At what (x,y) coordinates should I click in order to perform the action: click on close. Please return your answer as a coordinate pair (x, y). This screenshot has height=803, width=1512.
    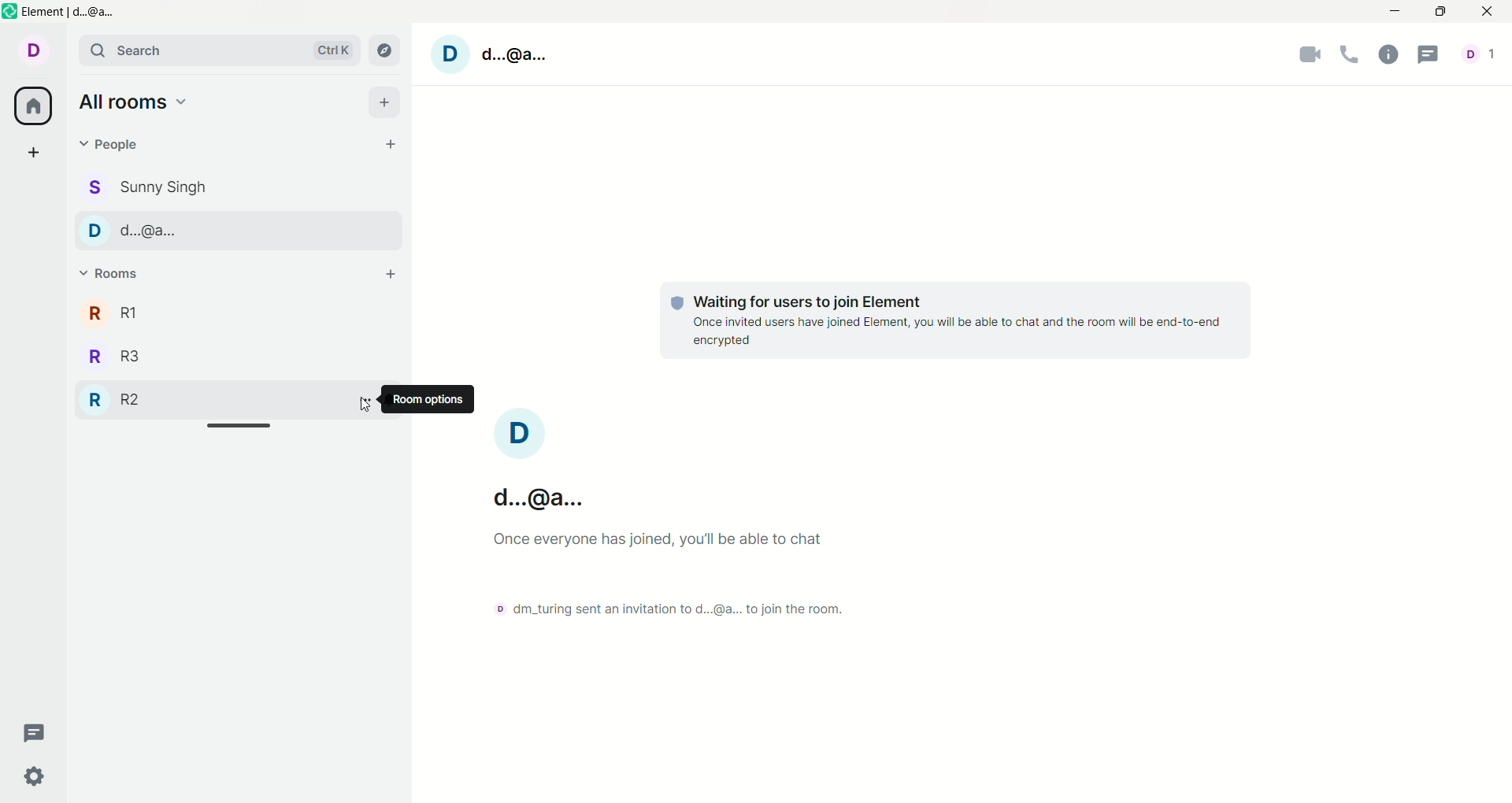
    Looking at the image, I should click on (1493, 12).